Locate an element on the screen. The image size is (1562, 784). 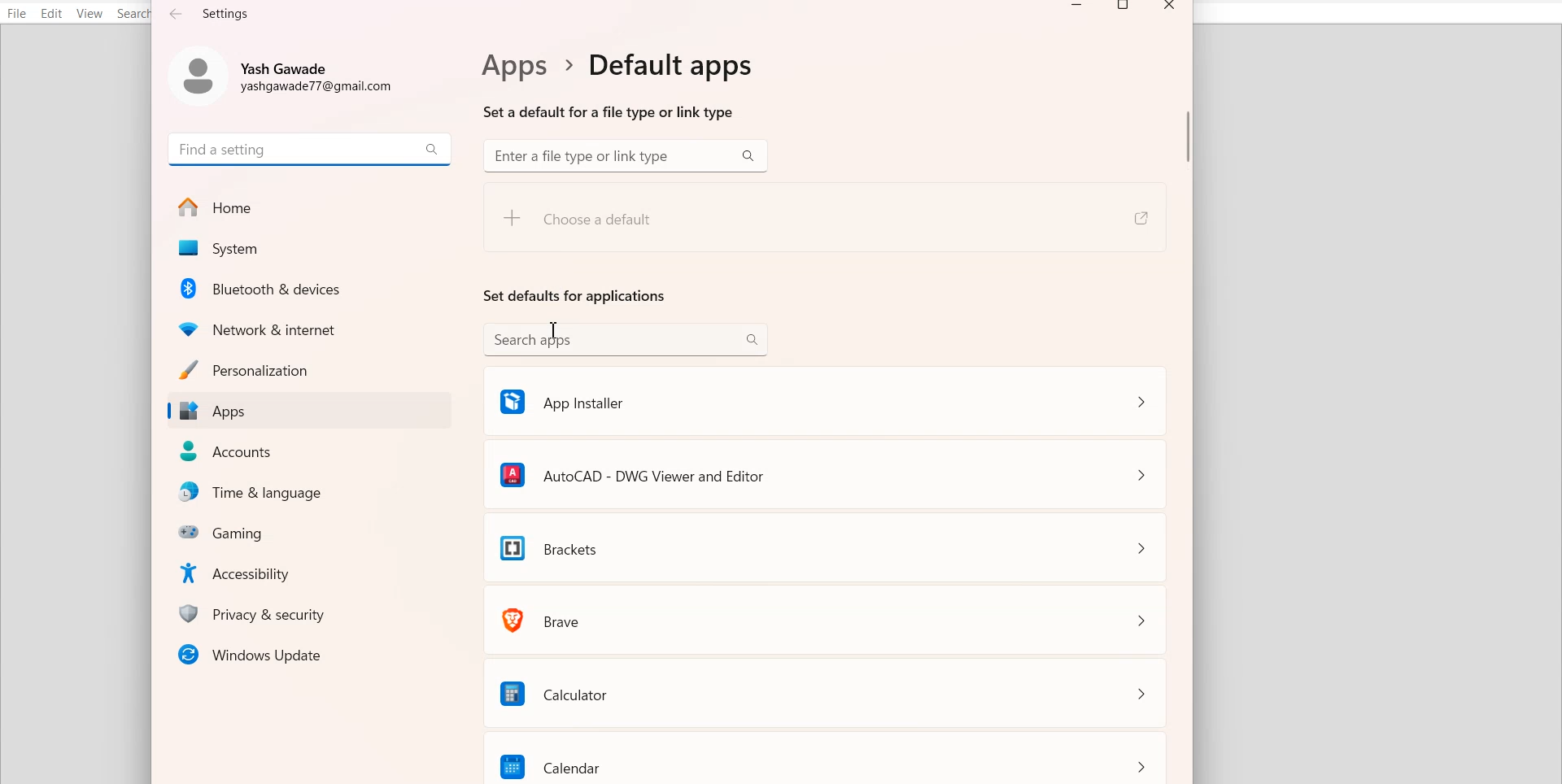
System is located at coordinates (308, 249).